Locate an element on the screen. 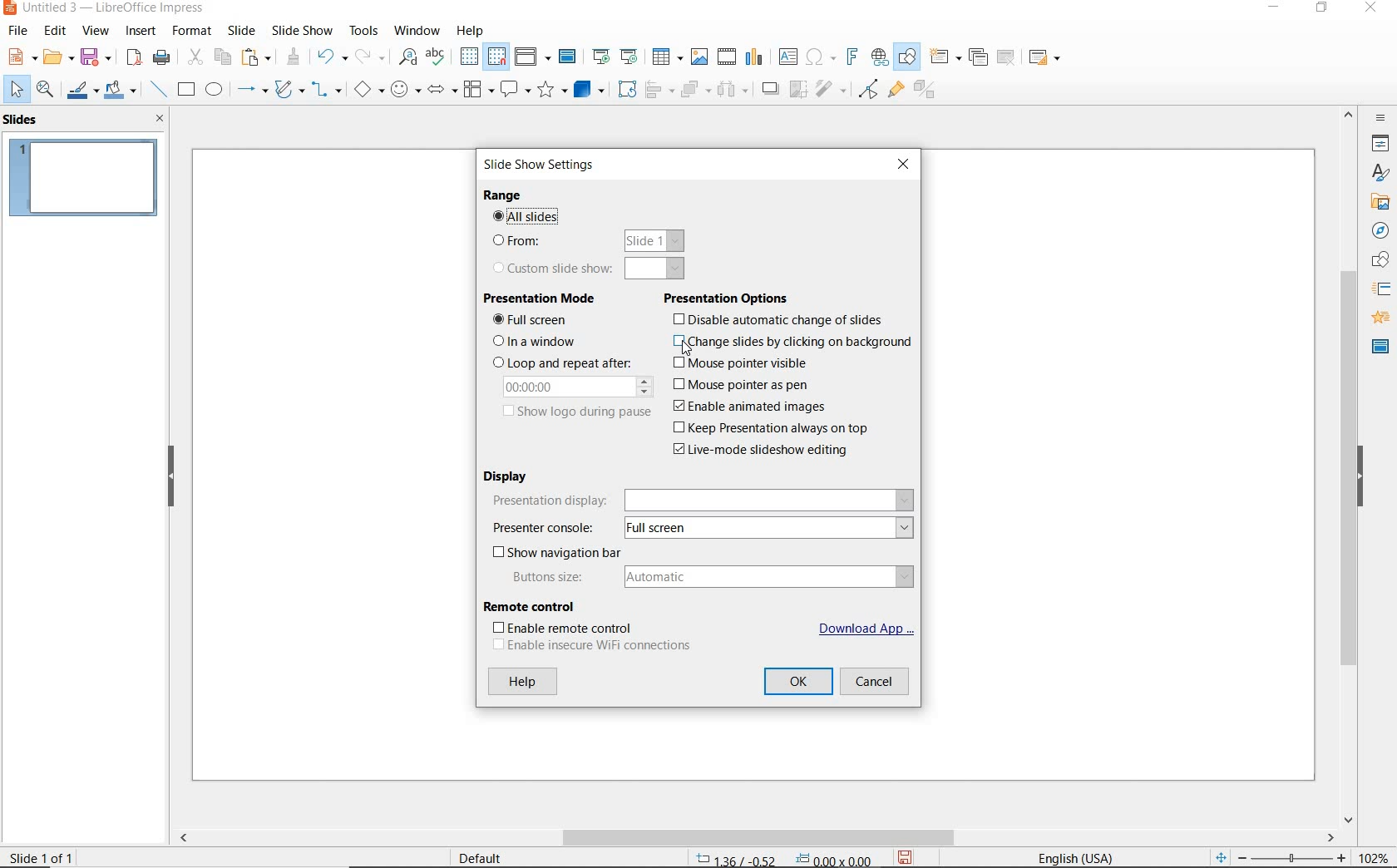  FIND AND REPLACE is located at coordinates (407, 58).